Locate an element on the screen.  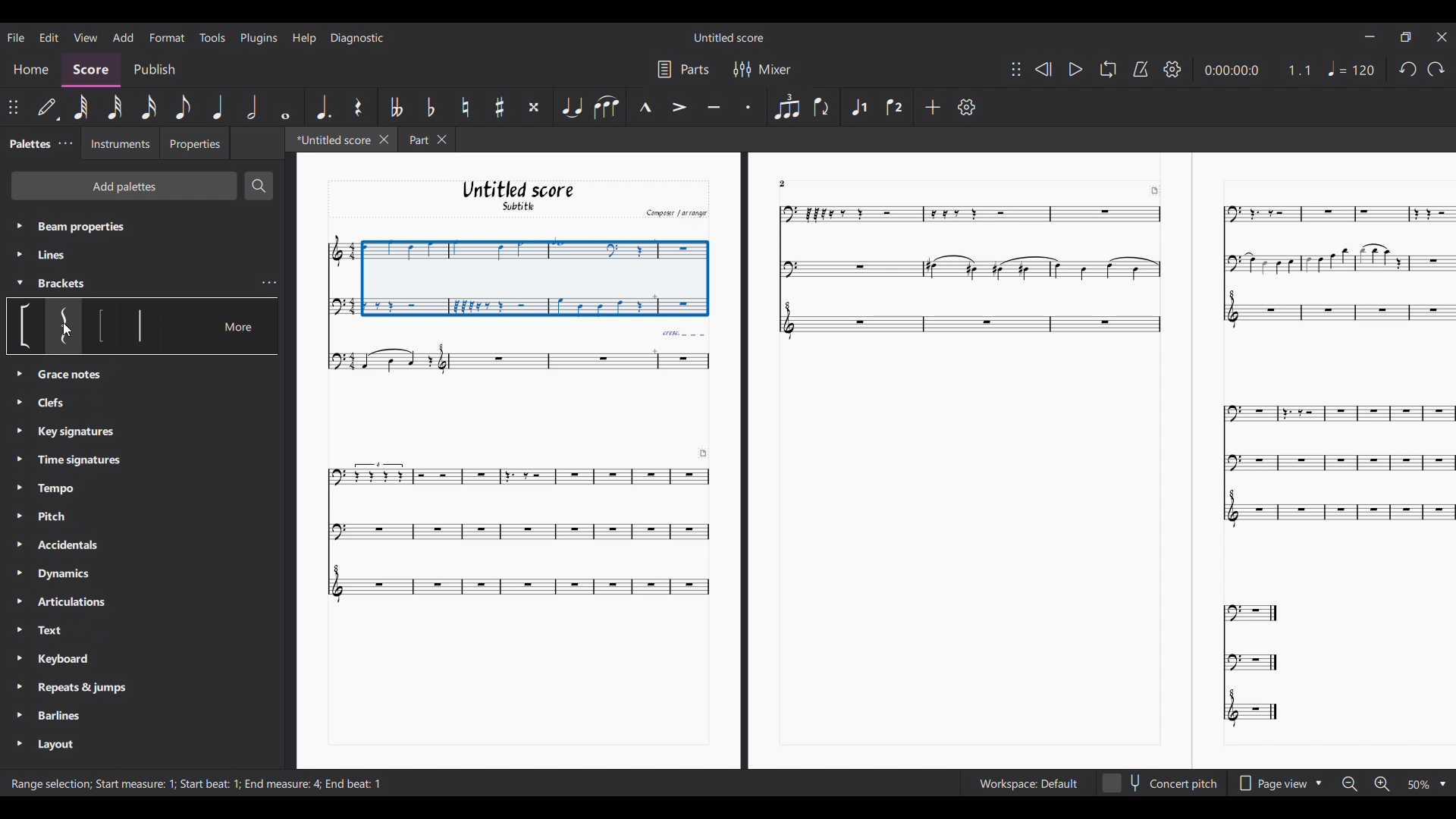
Toggle double sharp is located at coordinates (533, 106).